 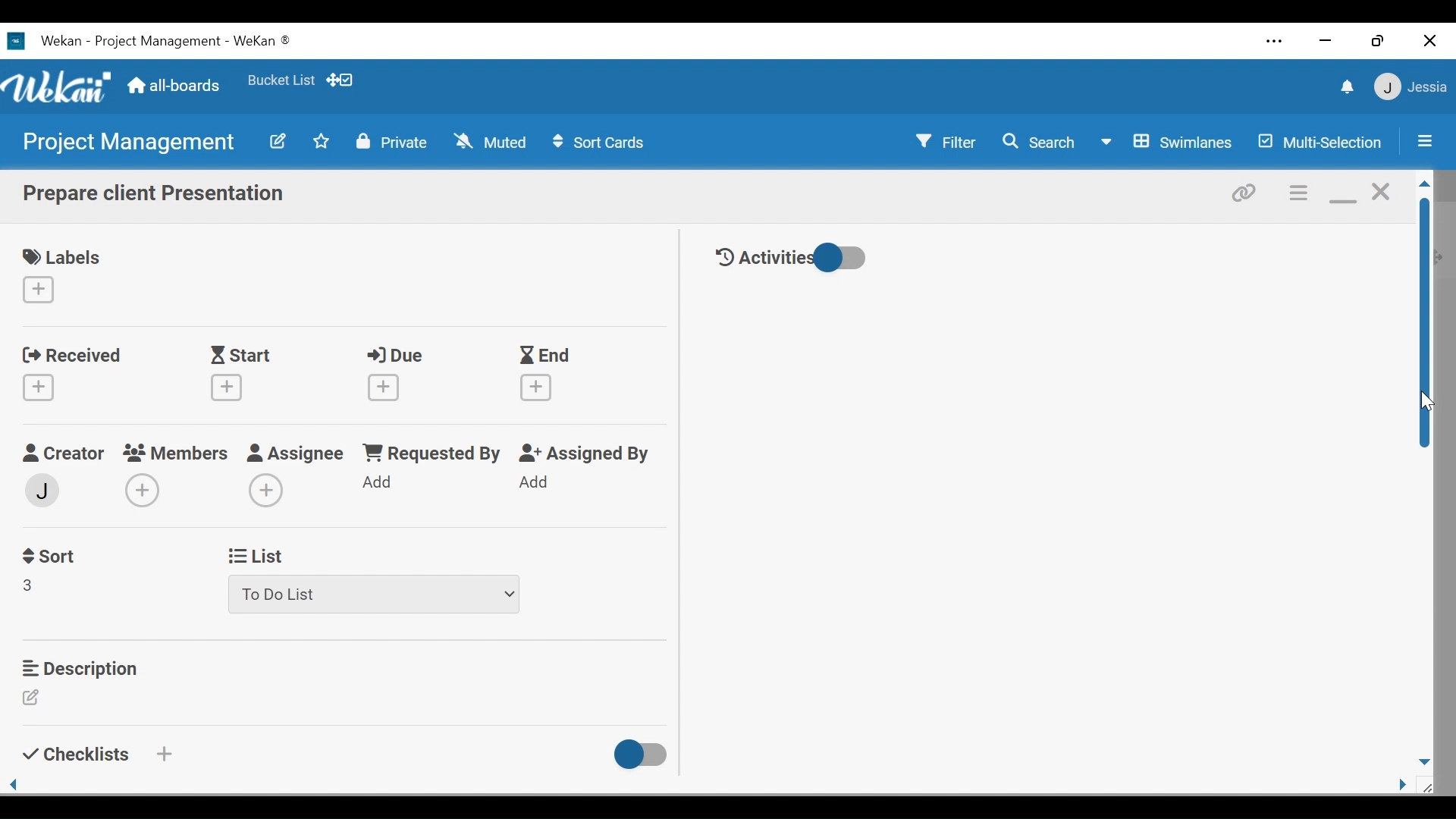 I want to click on members, so click(x=177, y=453).